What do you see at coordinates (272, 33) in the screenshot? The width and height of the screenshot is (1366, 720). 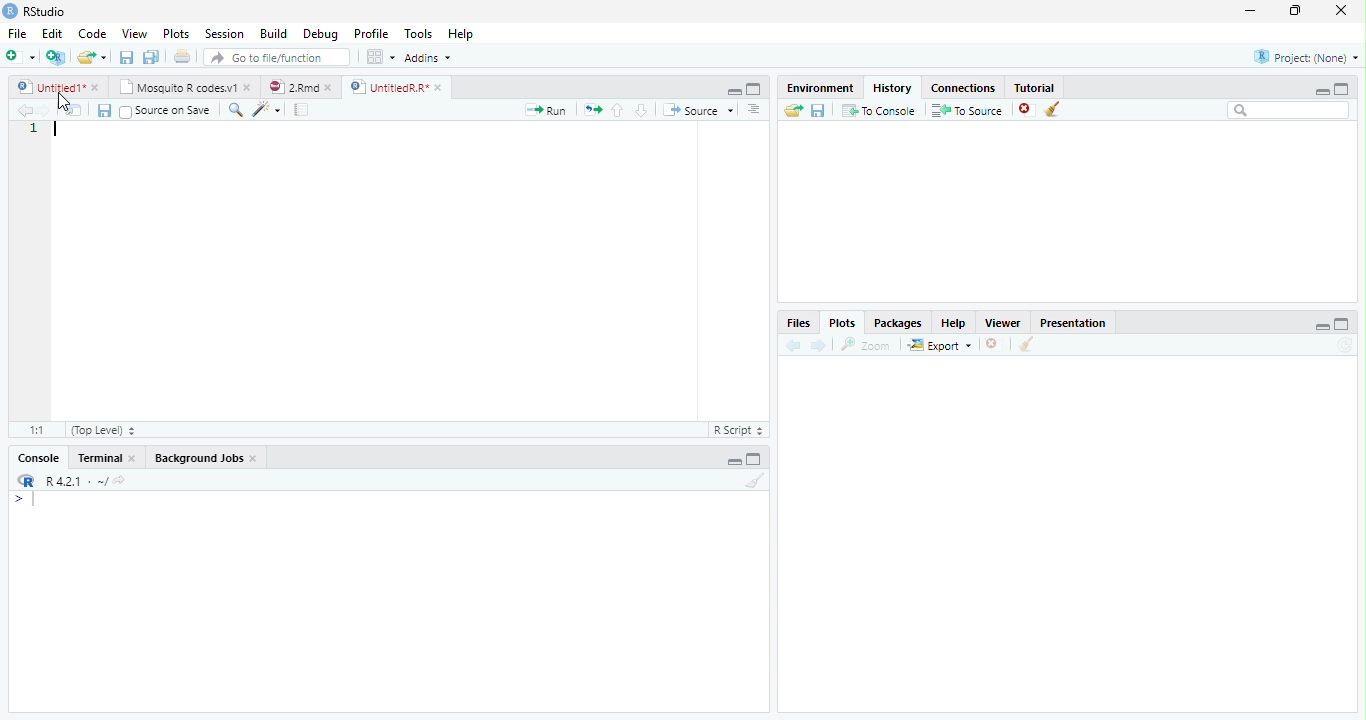 I see `Build` at bounding box center [272, 33].